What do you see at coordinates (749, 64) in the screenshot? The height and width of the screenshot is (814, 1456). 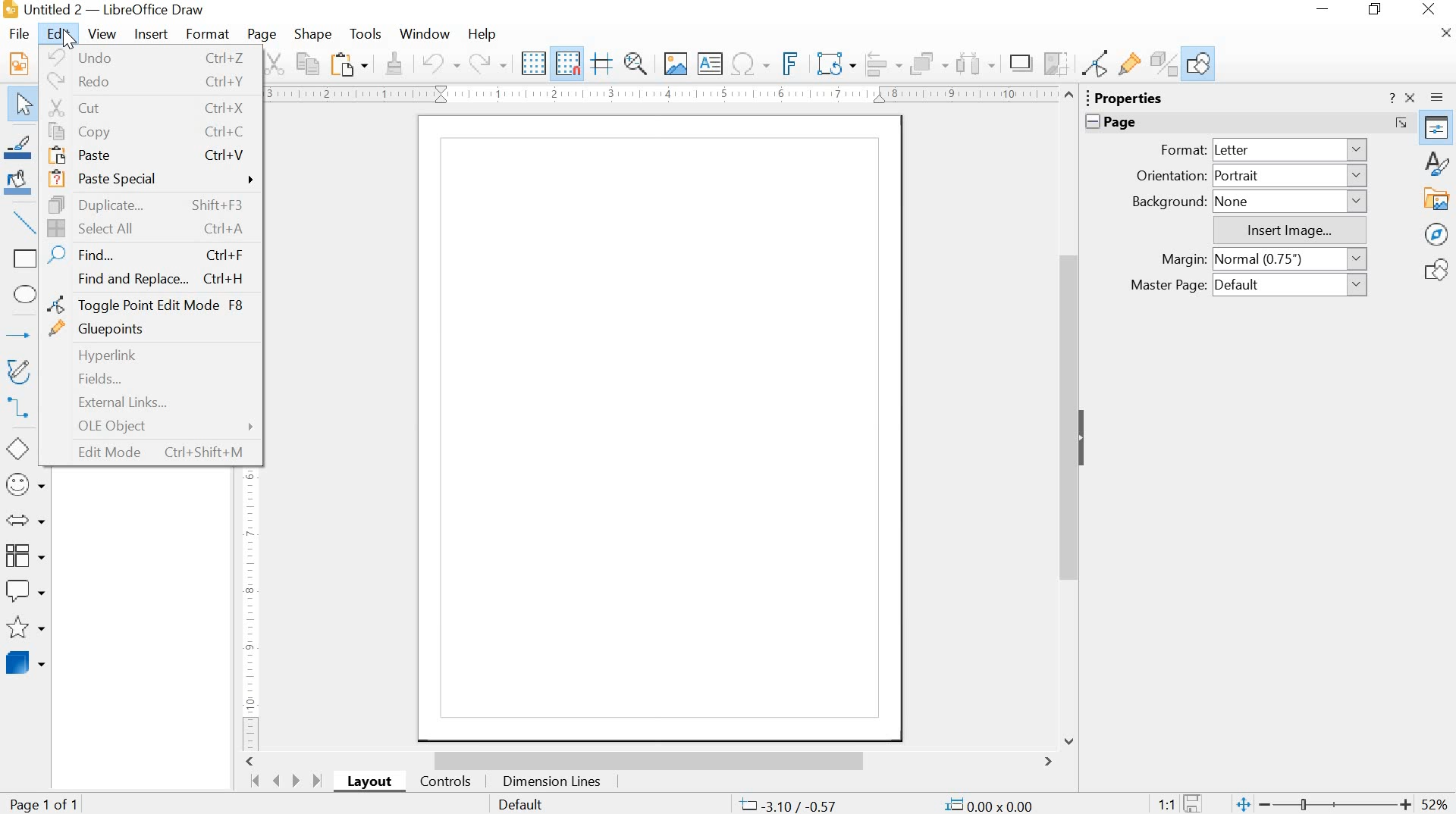 I see `Insert Special Characters` at bounding box center [749, 64].